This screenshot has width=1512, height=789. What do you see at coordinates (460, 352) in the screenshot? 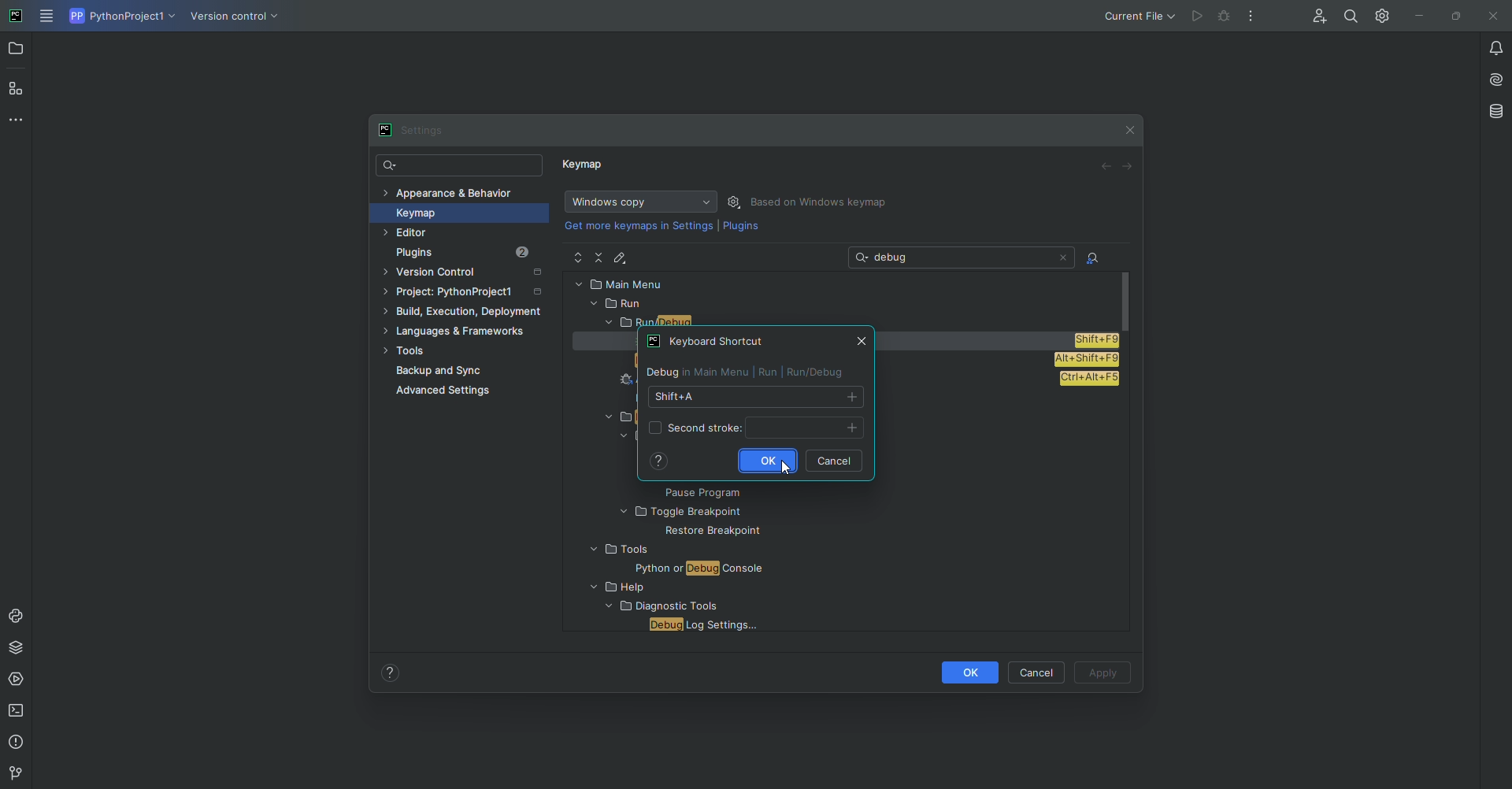
I see `Tools` at bounding box center [460, 352].